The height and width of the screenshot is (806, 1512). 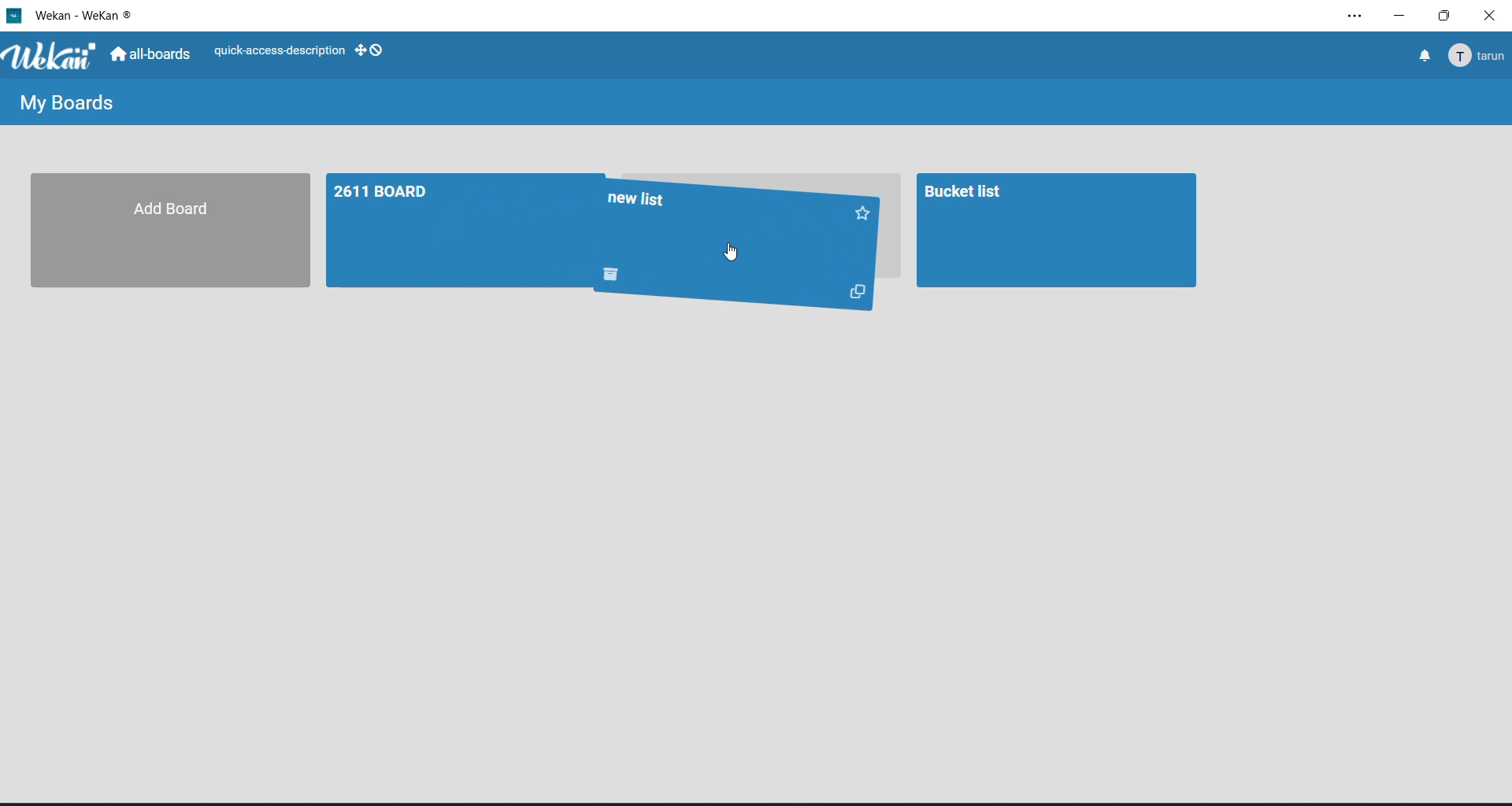 I want to click on tarun, so click(x=1479, y=55).